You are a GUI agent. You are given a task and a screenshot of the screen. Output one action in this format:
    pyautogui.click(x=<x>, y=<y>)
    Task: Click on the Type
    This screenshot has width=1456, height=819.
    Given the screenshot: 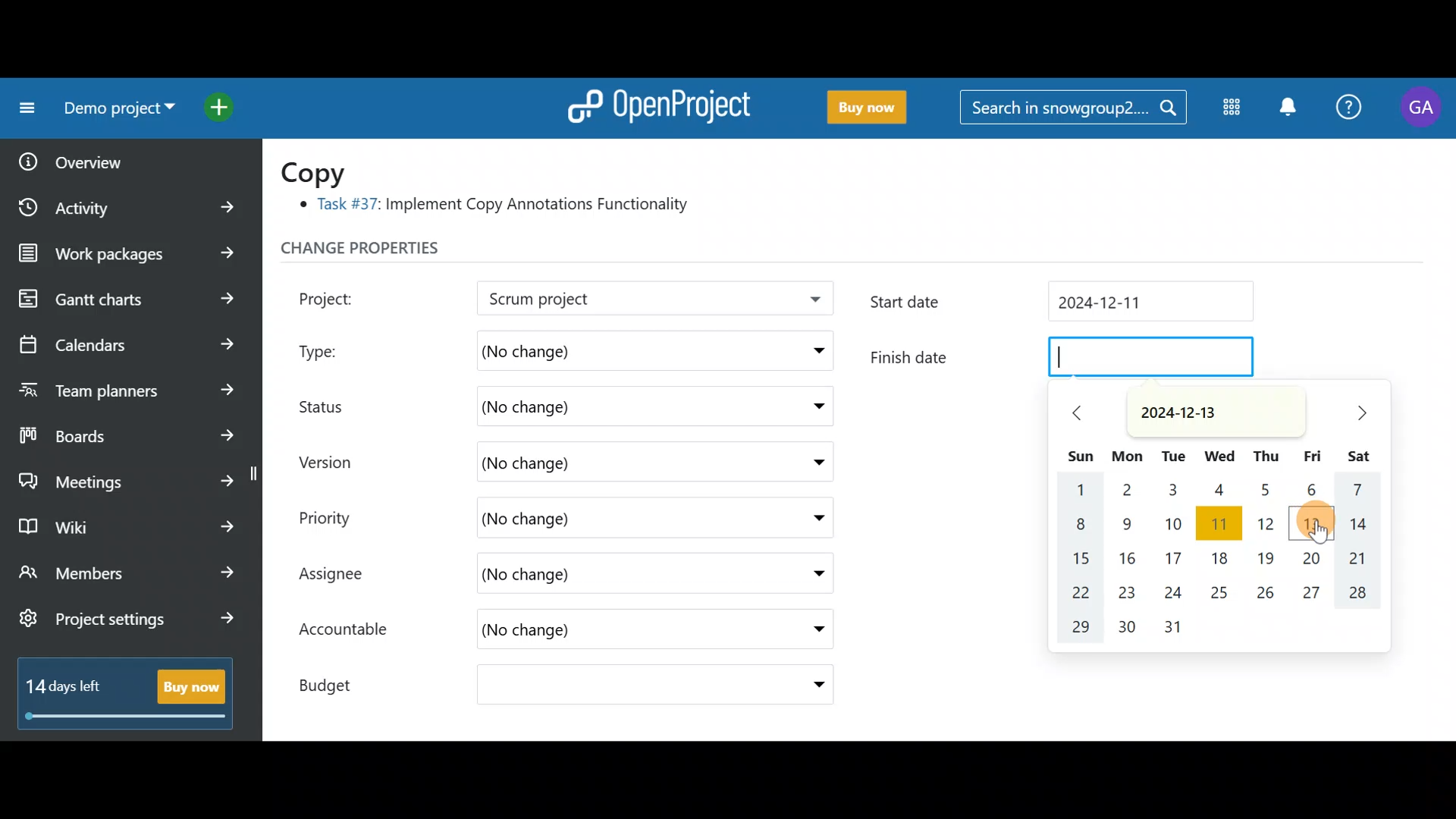 What is the action you would take?
    pyautogui.click(x=335, y=347)
    